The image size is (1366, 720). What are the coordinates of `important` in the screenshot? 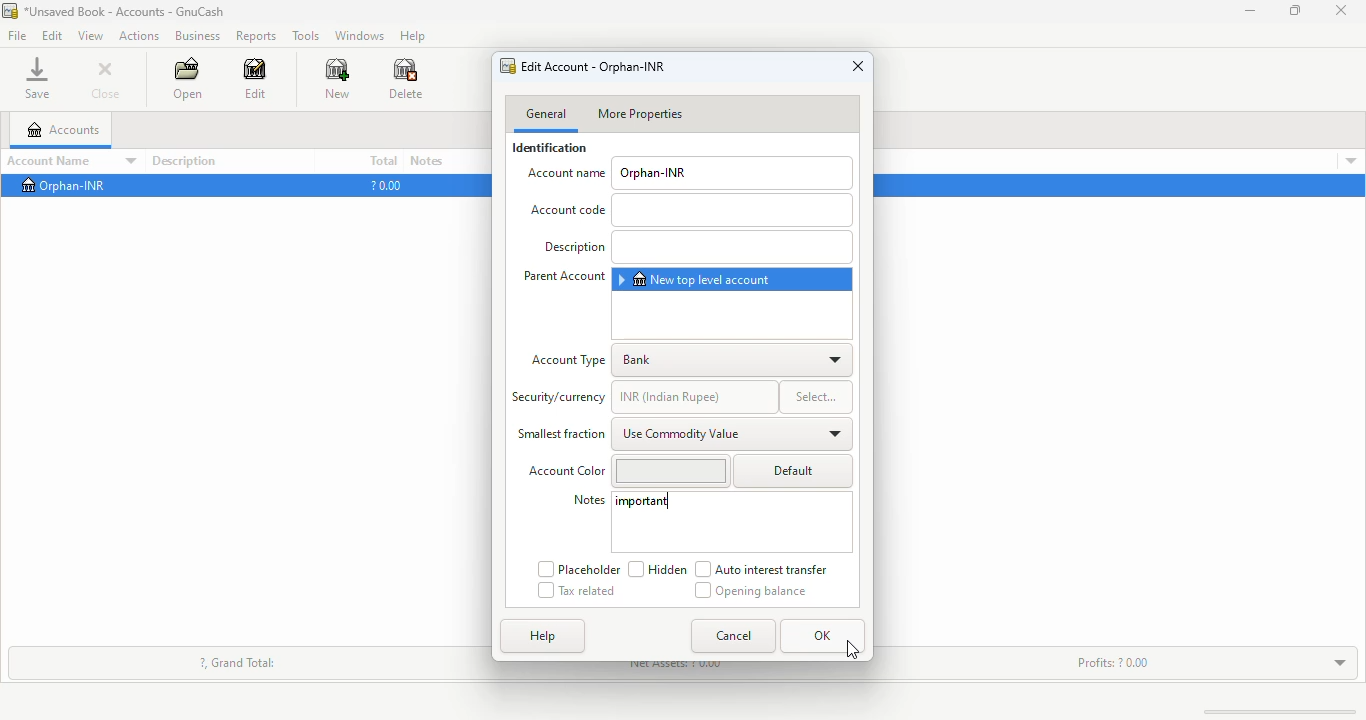 It's located at (642, 501).